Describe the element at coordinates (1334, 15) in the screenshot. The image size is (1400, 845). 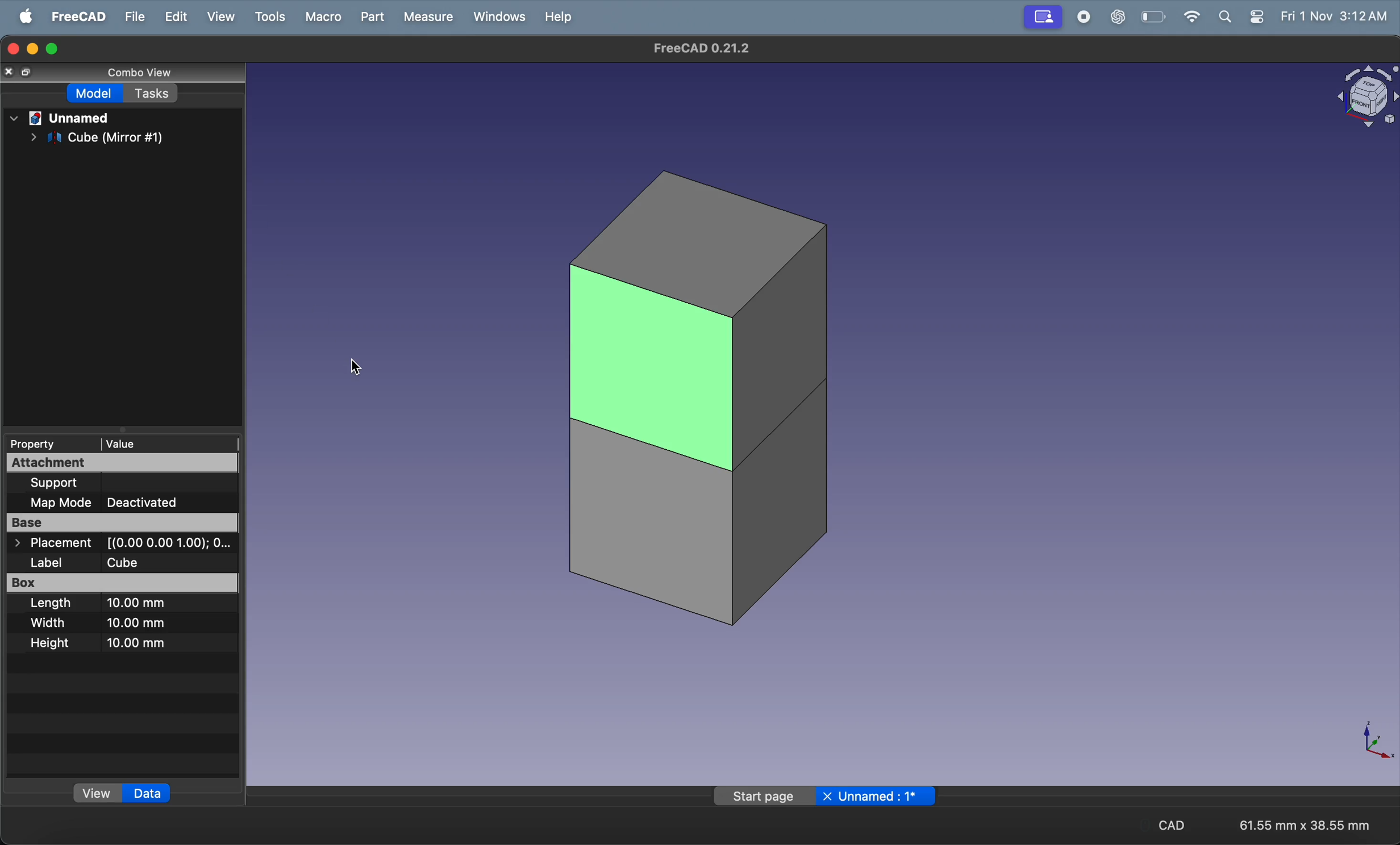
I see `Fri 1 Nov 3:12 AM` at that location.